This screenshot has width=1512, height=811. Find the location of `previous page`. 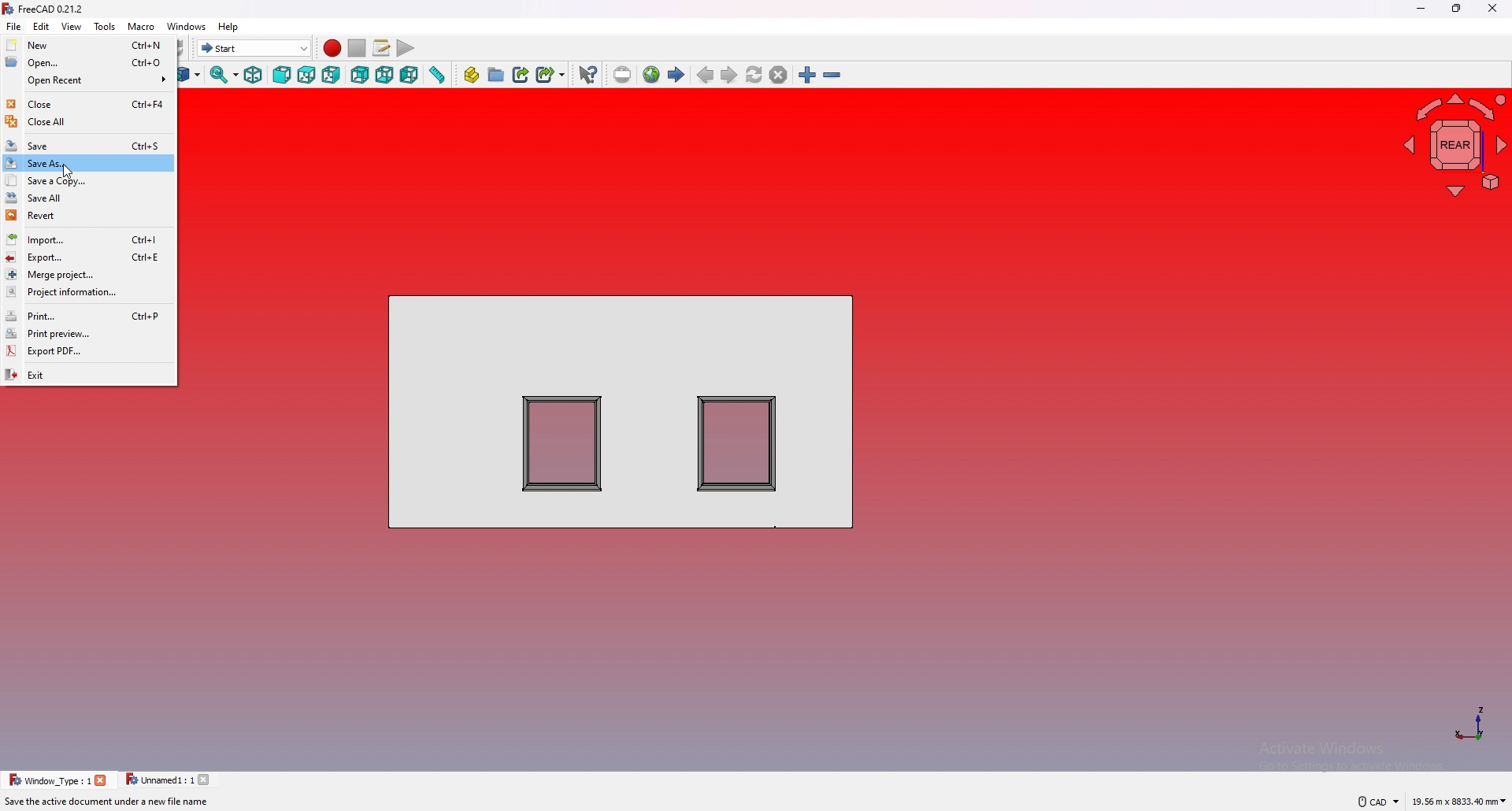

previous page is located at coordinates (705, 75).